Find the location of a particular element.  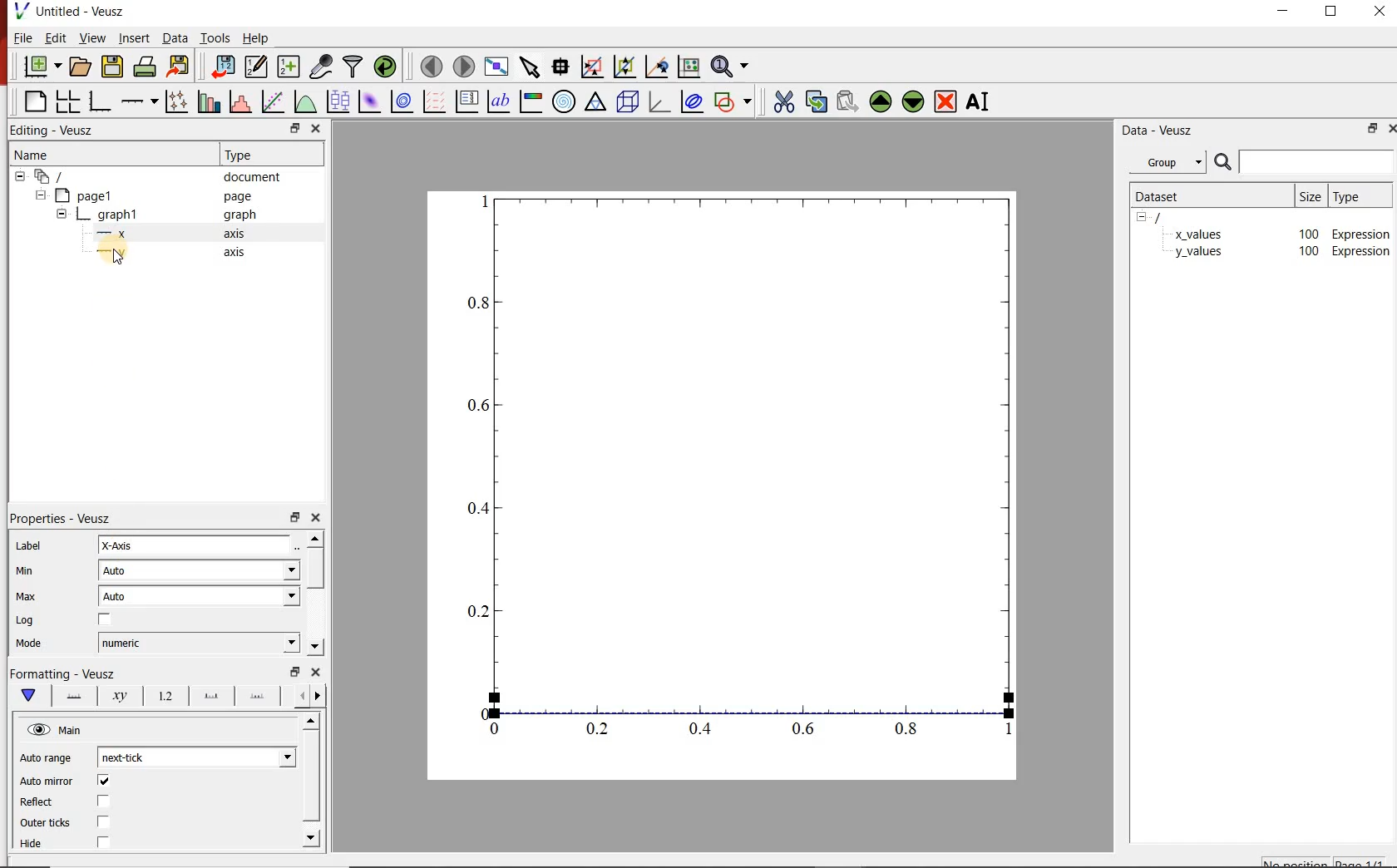

min is located at coordinates (24, 575).